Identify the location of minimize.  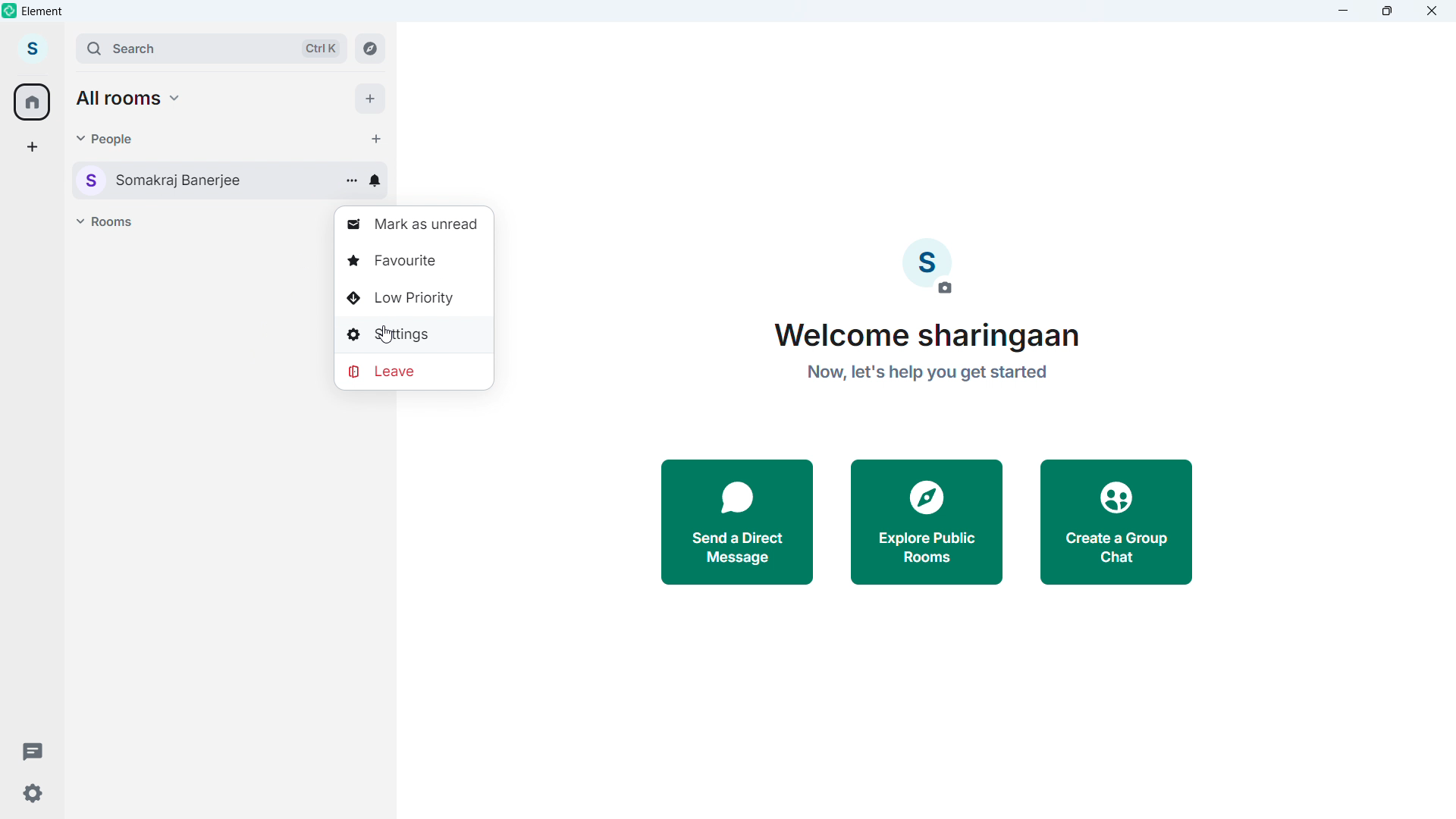
(1344, 11).